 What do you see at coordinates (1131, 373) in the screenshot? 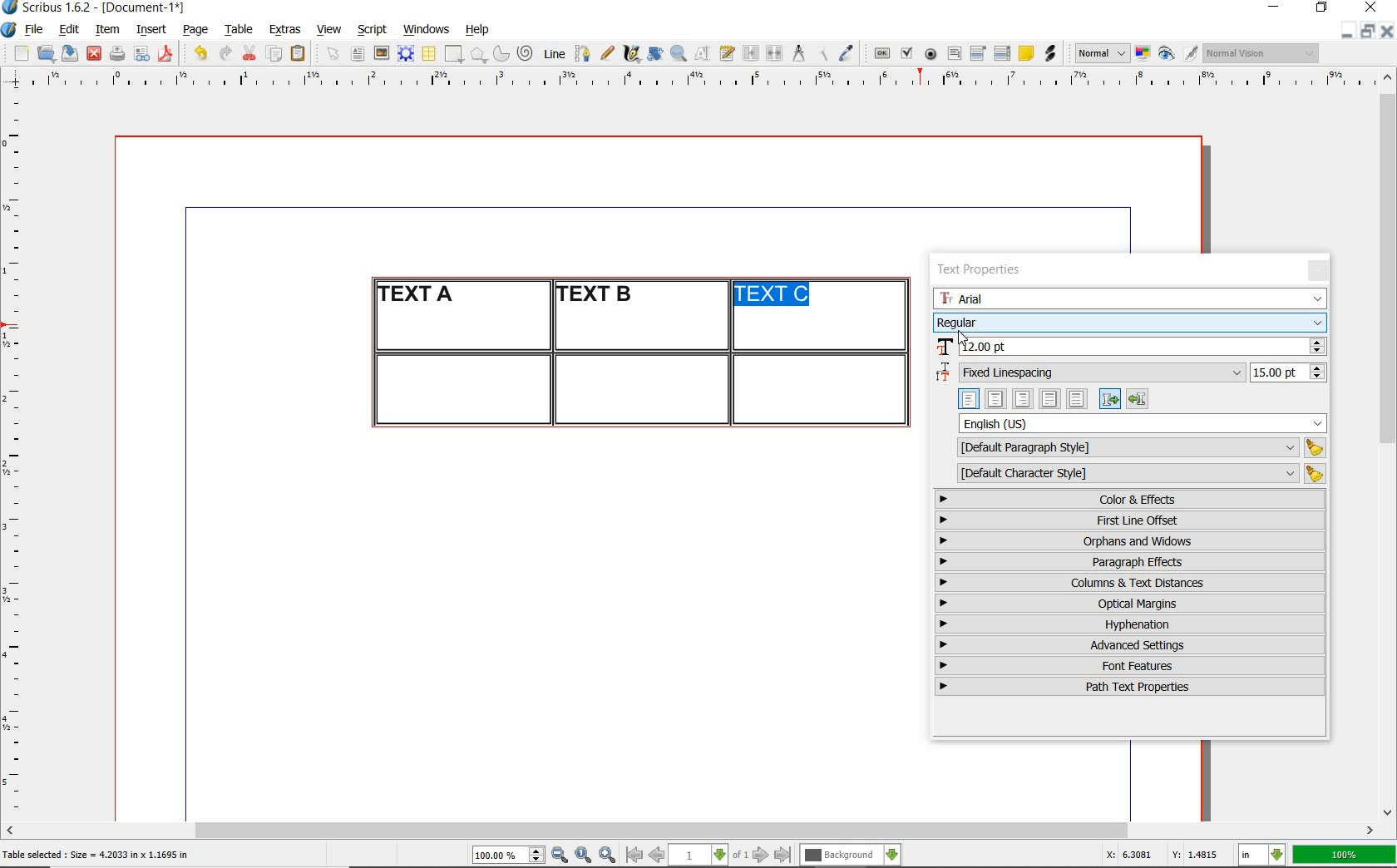
I see `fixed linespacing` at bounding box center [1131, 373].